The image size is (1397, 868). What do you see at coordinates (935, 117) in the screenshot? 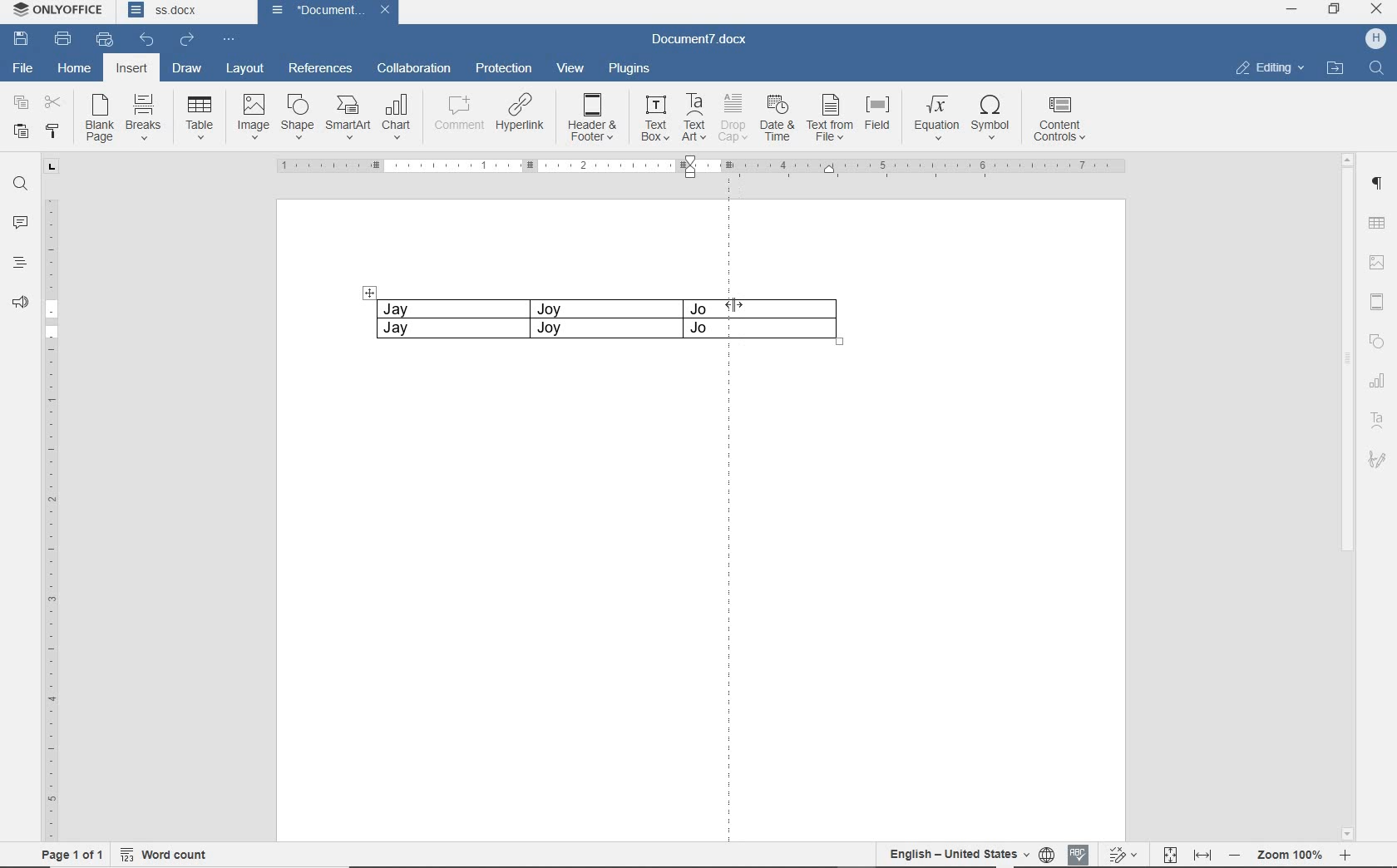
I see `EQUATION` at bounding box center [935, 117].